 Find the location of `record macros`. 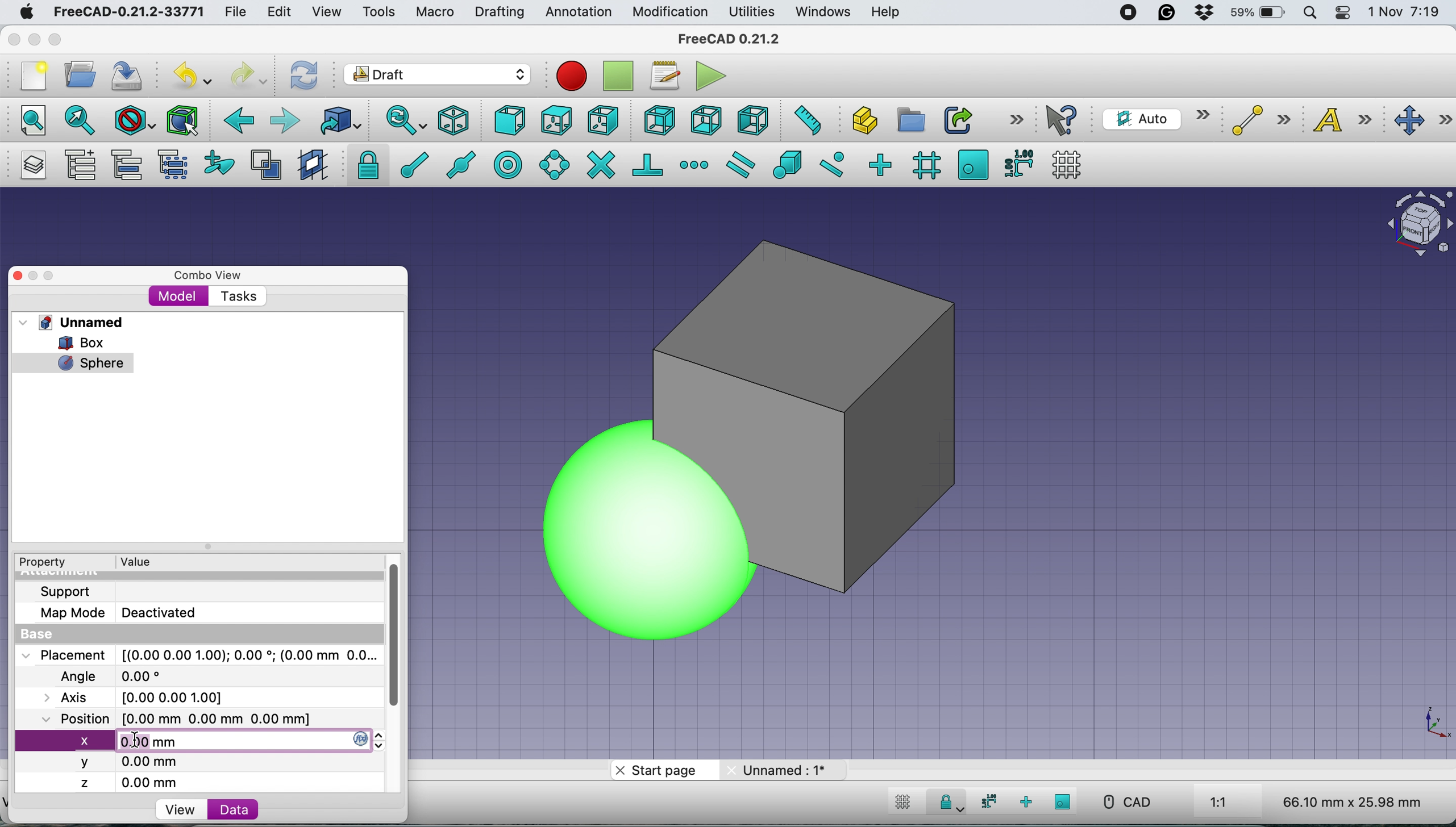

record macros is located at coordinates (572, 76).